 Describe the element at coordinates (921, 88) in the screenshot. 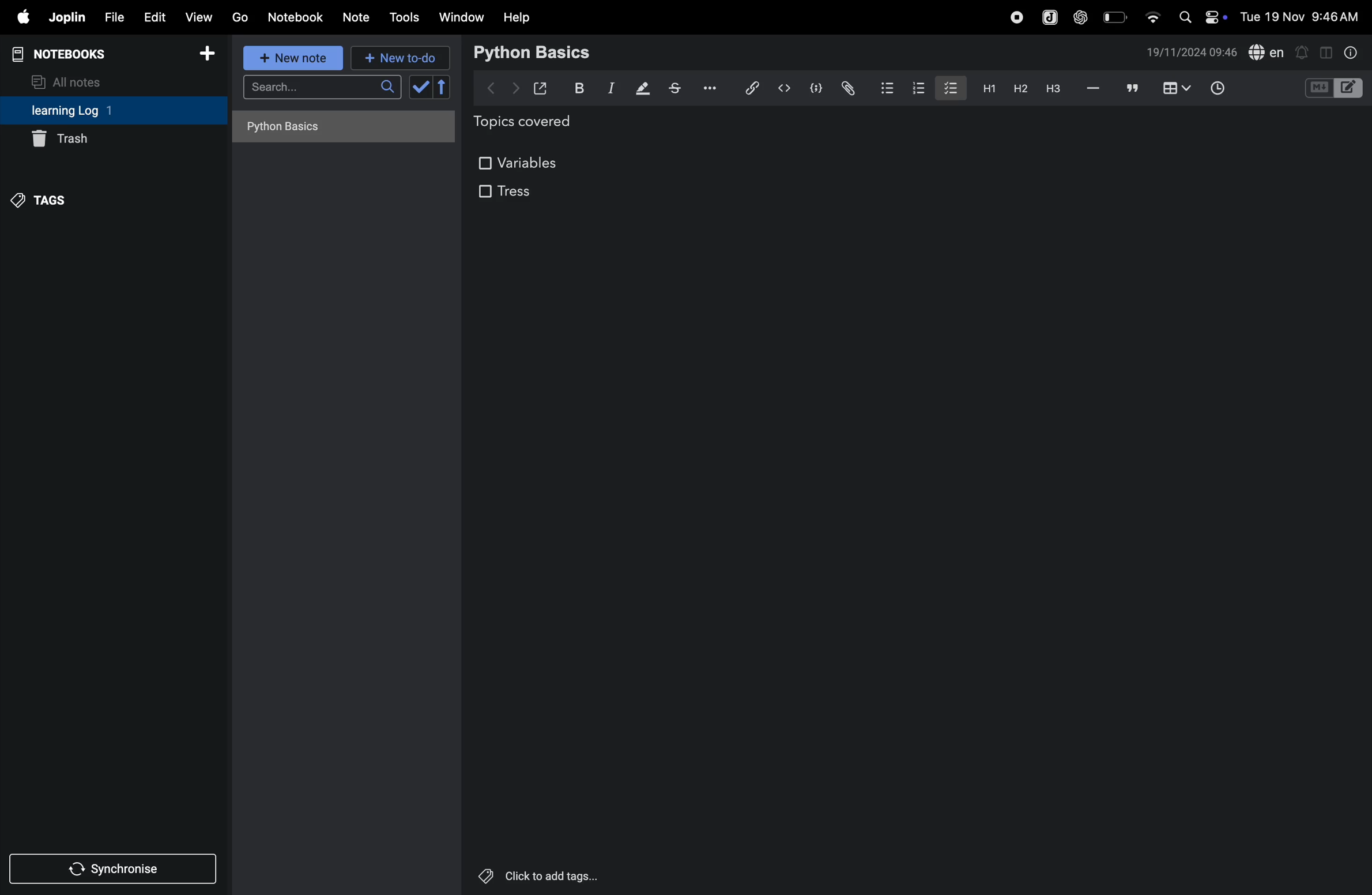

I see `numbered list` at that location.